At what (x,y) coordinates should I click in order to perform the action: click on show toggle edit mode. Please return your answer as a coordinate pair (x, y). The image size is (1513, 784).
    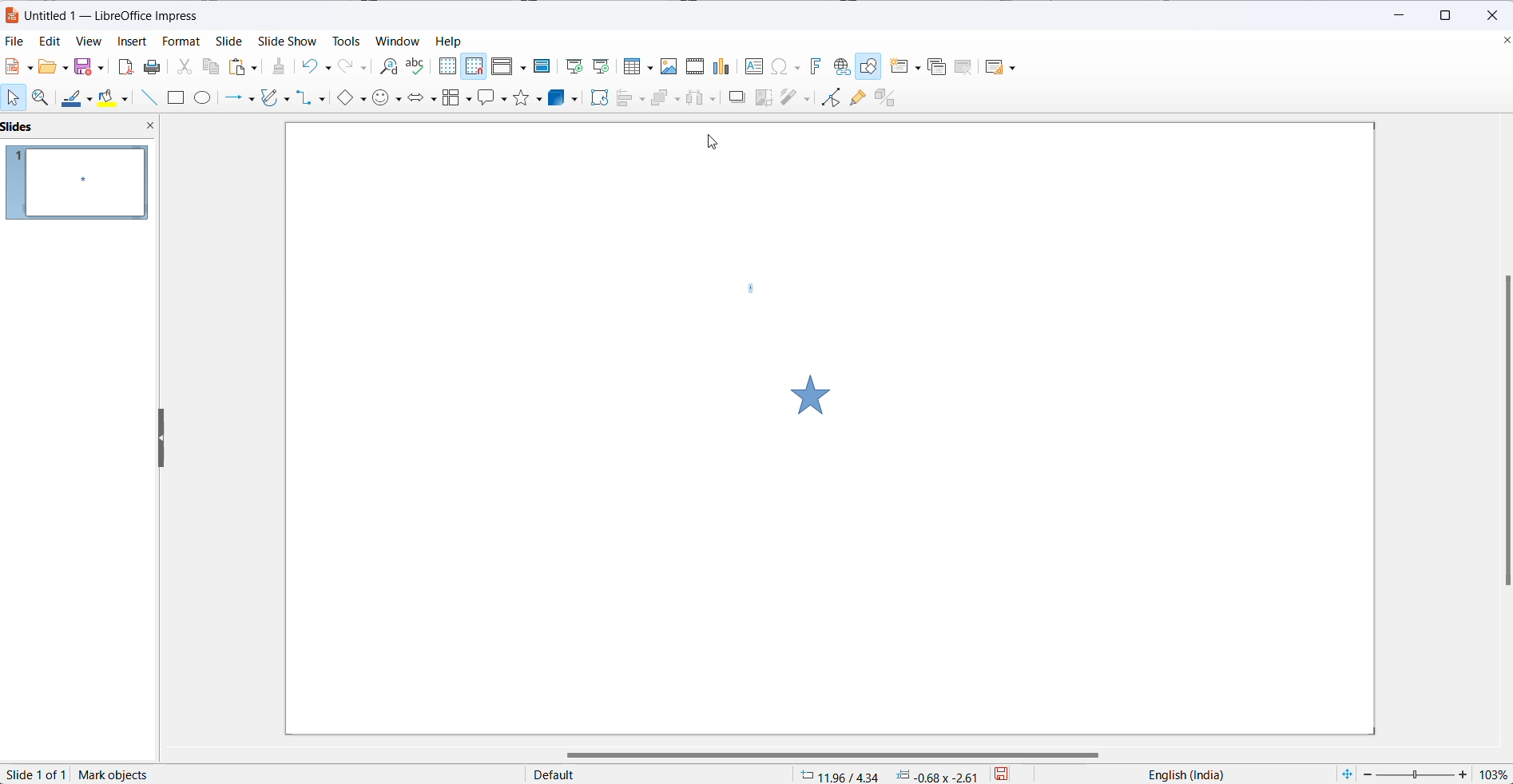
    Looking at the image, I should click on (829, 100).